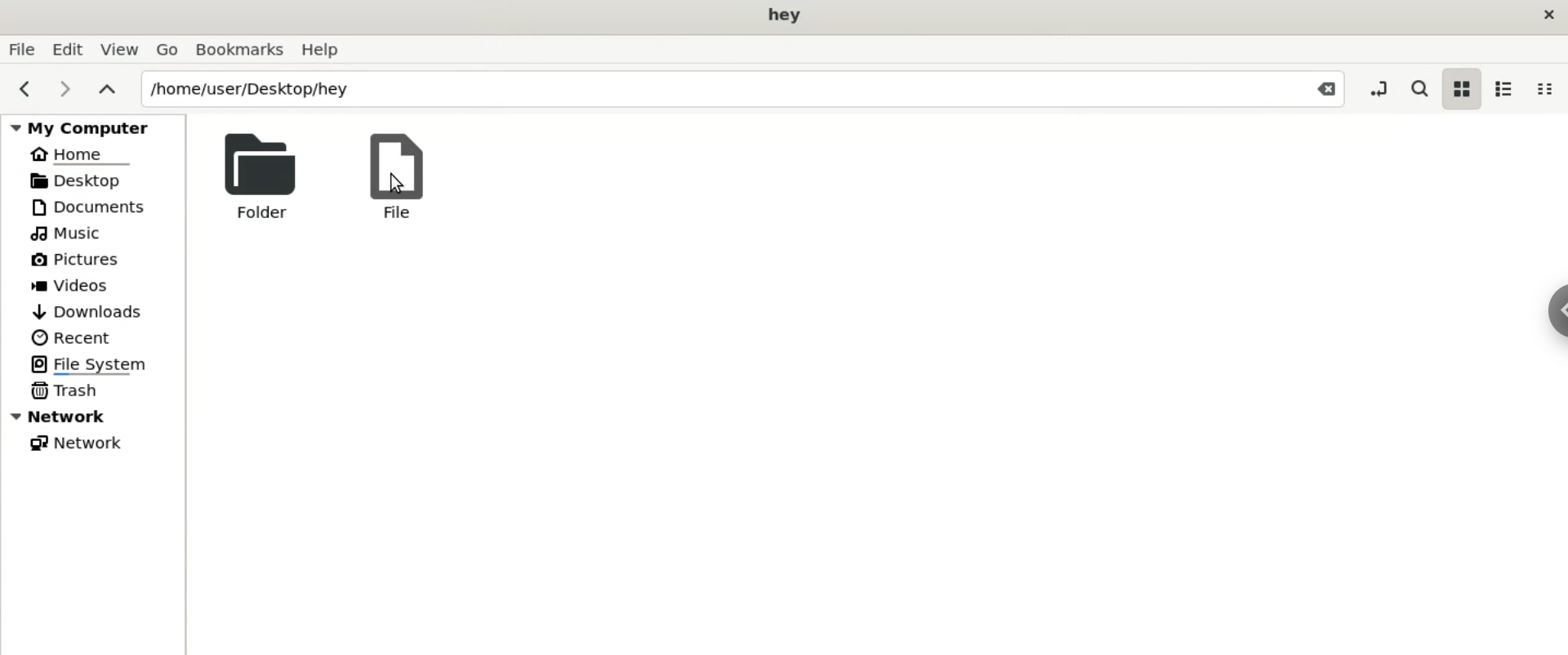 The height and width of the screenshot is (655, 1568). What do you see at coordinates (396, 180) in the screenshot?
I see `cursor` at bounding box center [396, 180].